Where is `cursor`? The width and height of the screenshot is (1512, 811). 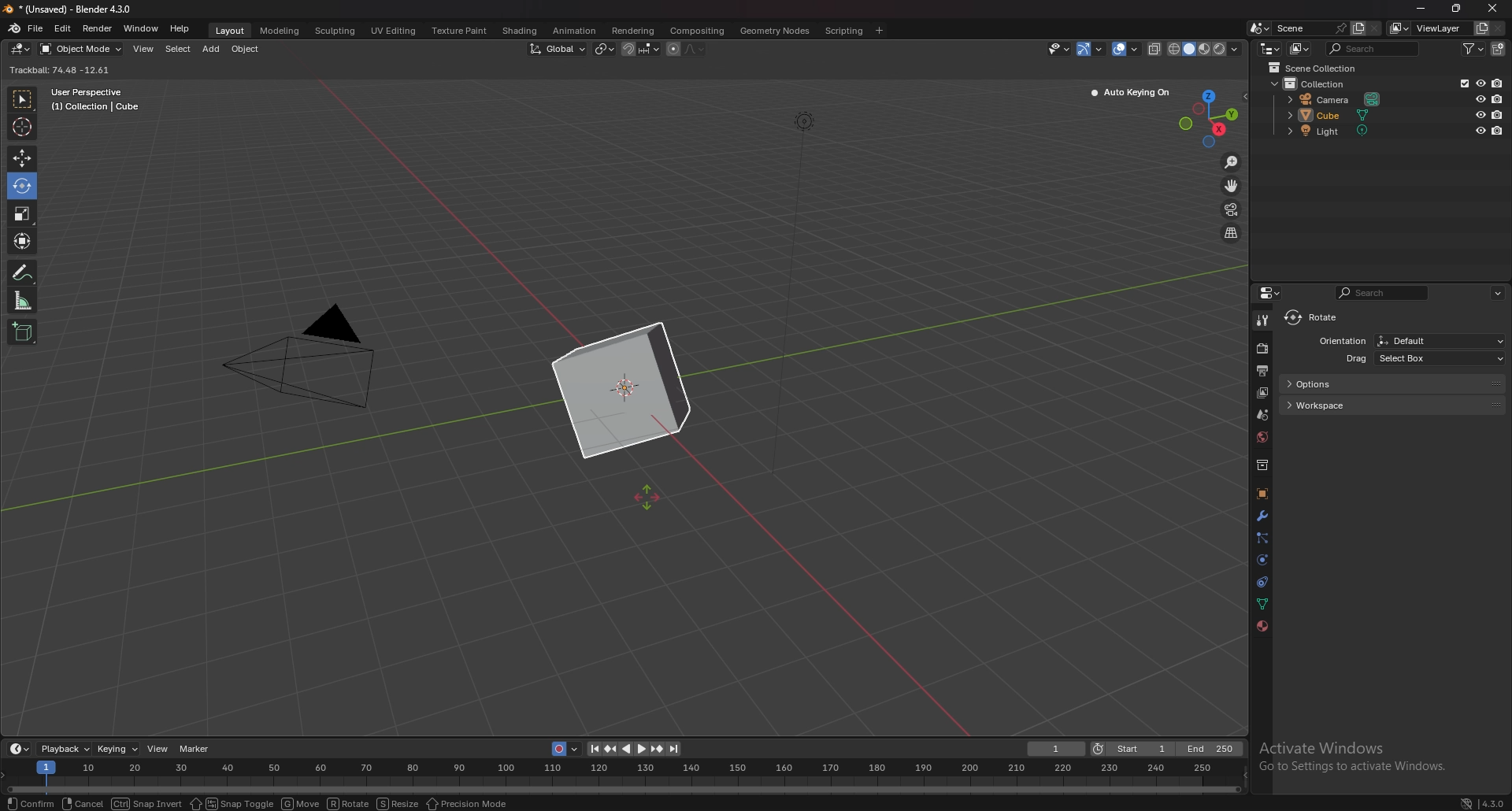 cursor is located at coordinates (21, 126).